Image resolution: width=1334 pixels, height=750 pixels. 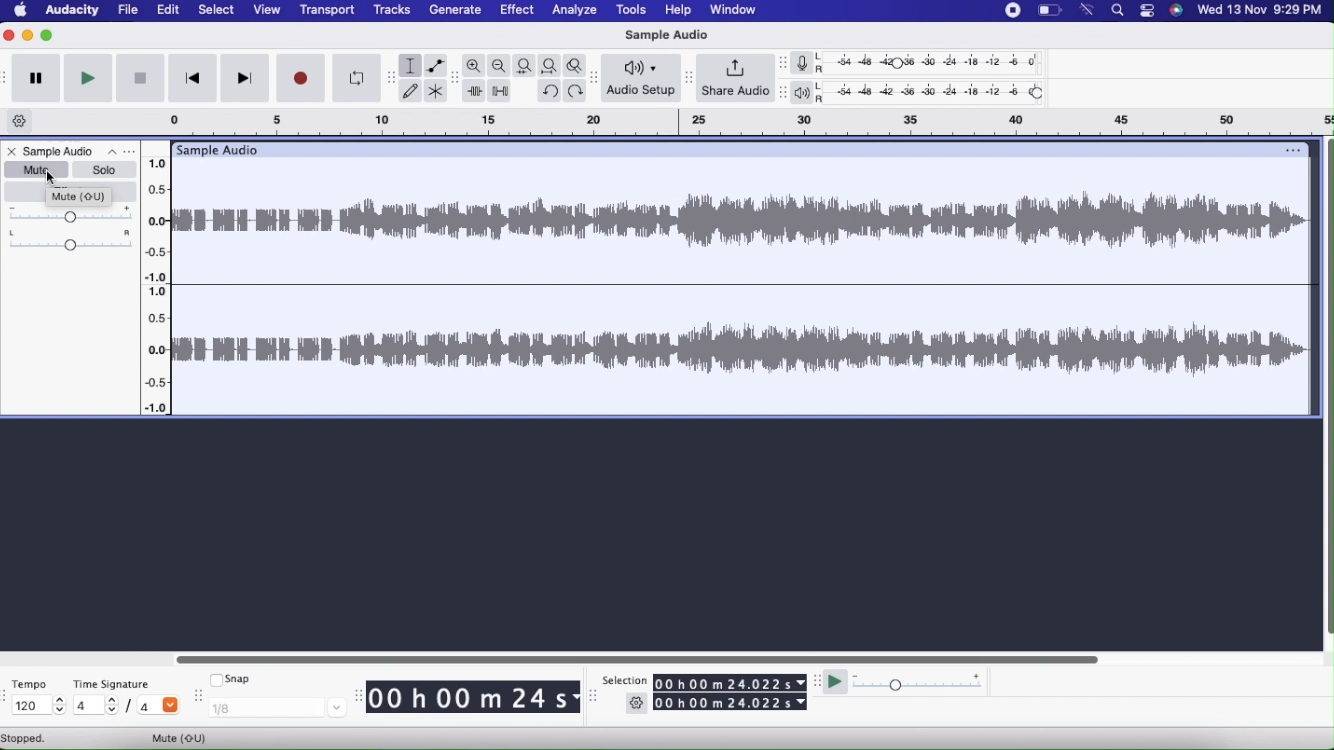 What do you see at coordinates (244, 78) in the screenshot?
I see `Skip to end` at bounding box center [244, 78].